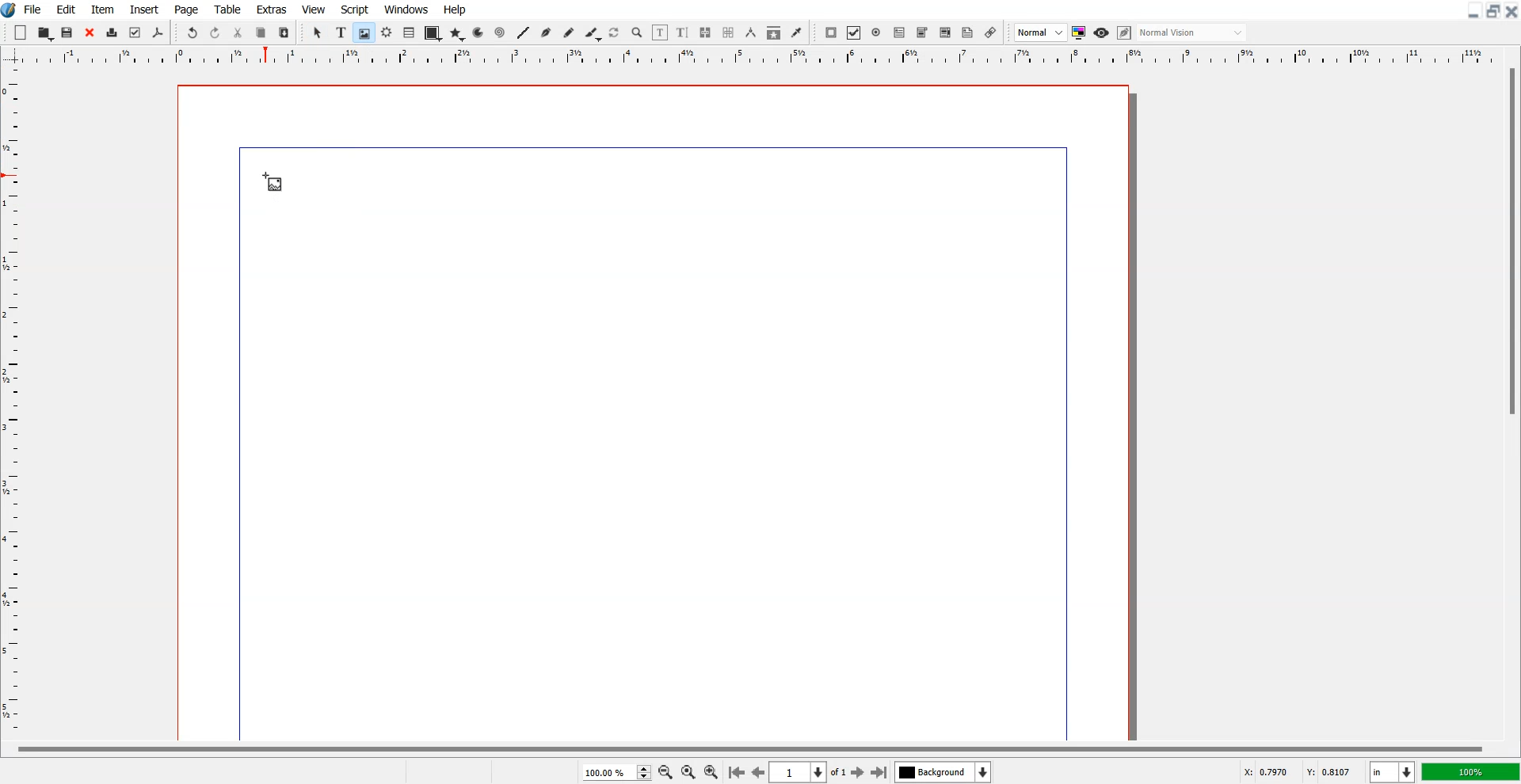  Describe the element at coordinates (922, 33) in the screenshot. I see `PDF Combo Box` at that location.